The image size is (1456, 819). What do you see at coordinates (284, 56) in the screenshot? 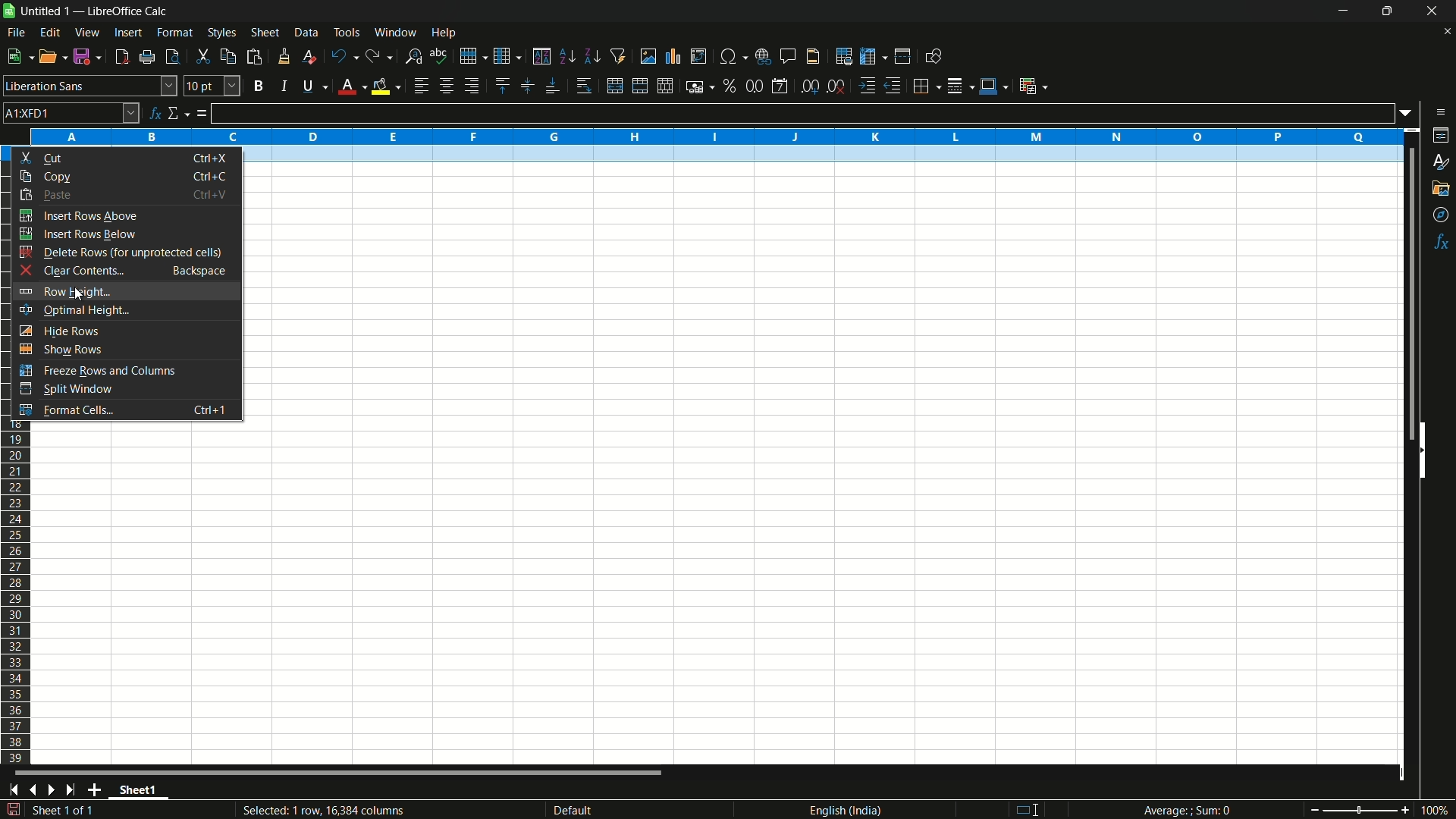
I see `clone formatting` at bounding box center [284, 56].